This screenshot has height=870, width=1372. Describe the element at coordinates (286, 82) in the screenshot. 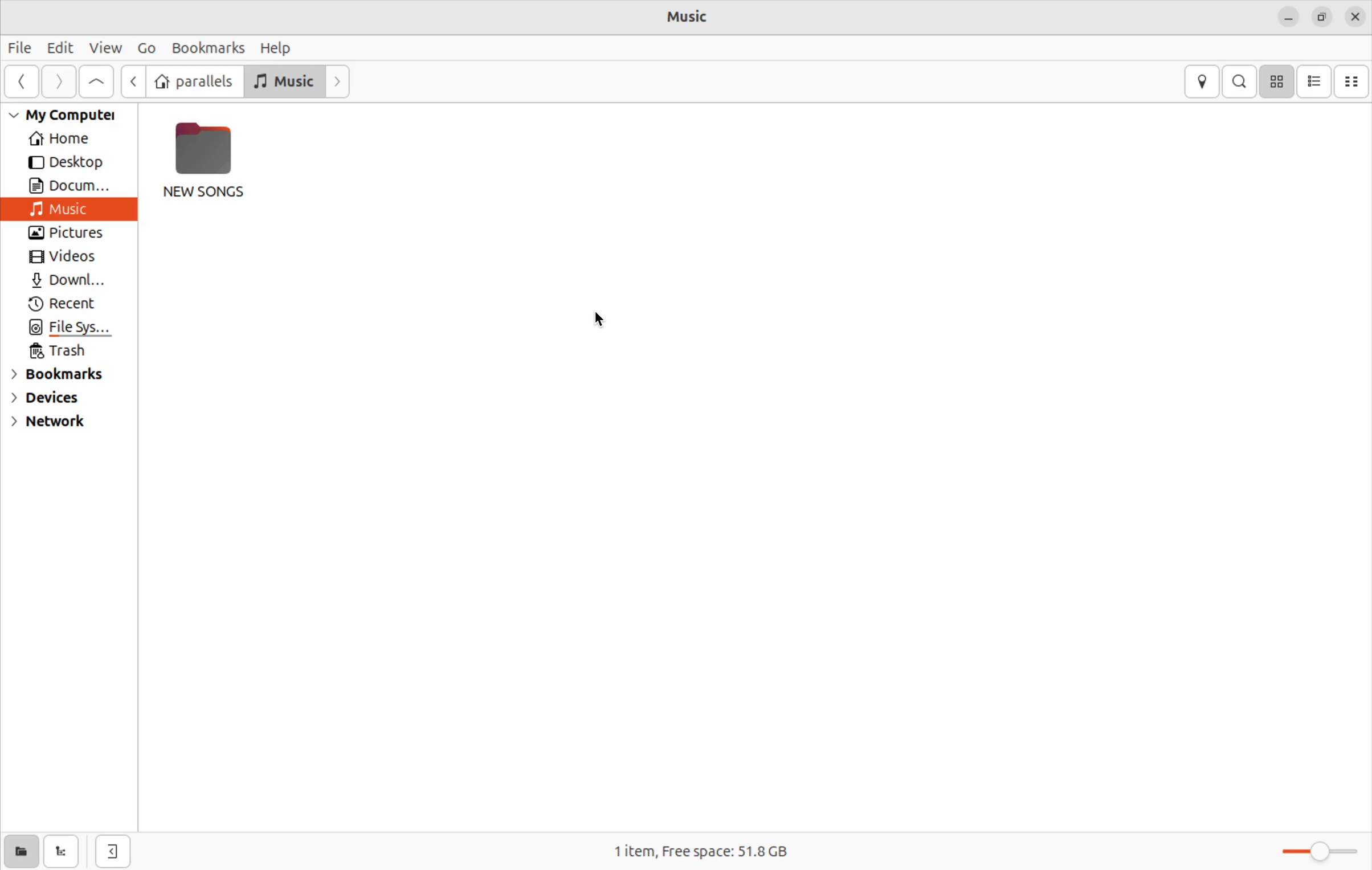

I see `music` at that location.